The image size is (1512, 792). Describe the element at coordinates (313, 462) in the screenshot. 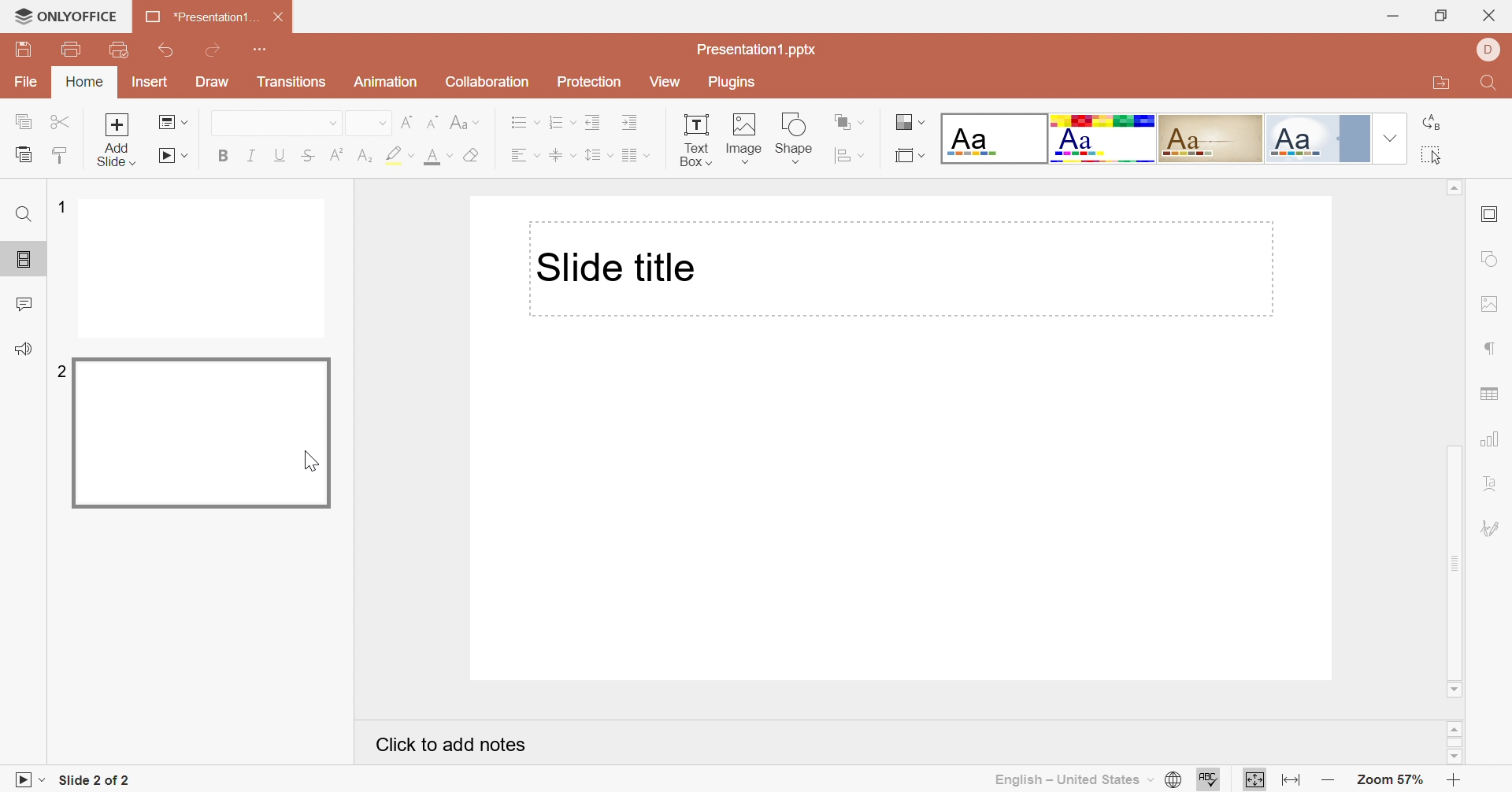

I see `cursor` at that location.